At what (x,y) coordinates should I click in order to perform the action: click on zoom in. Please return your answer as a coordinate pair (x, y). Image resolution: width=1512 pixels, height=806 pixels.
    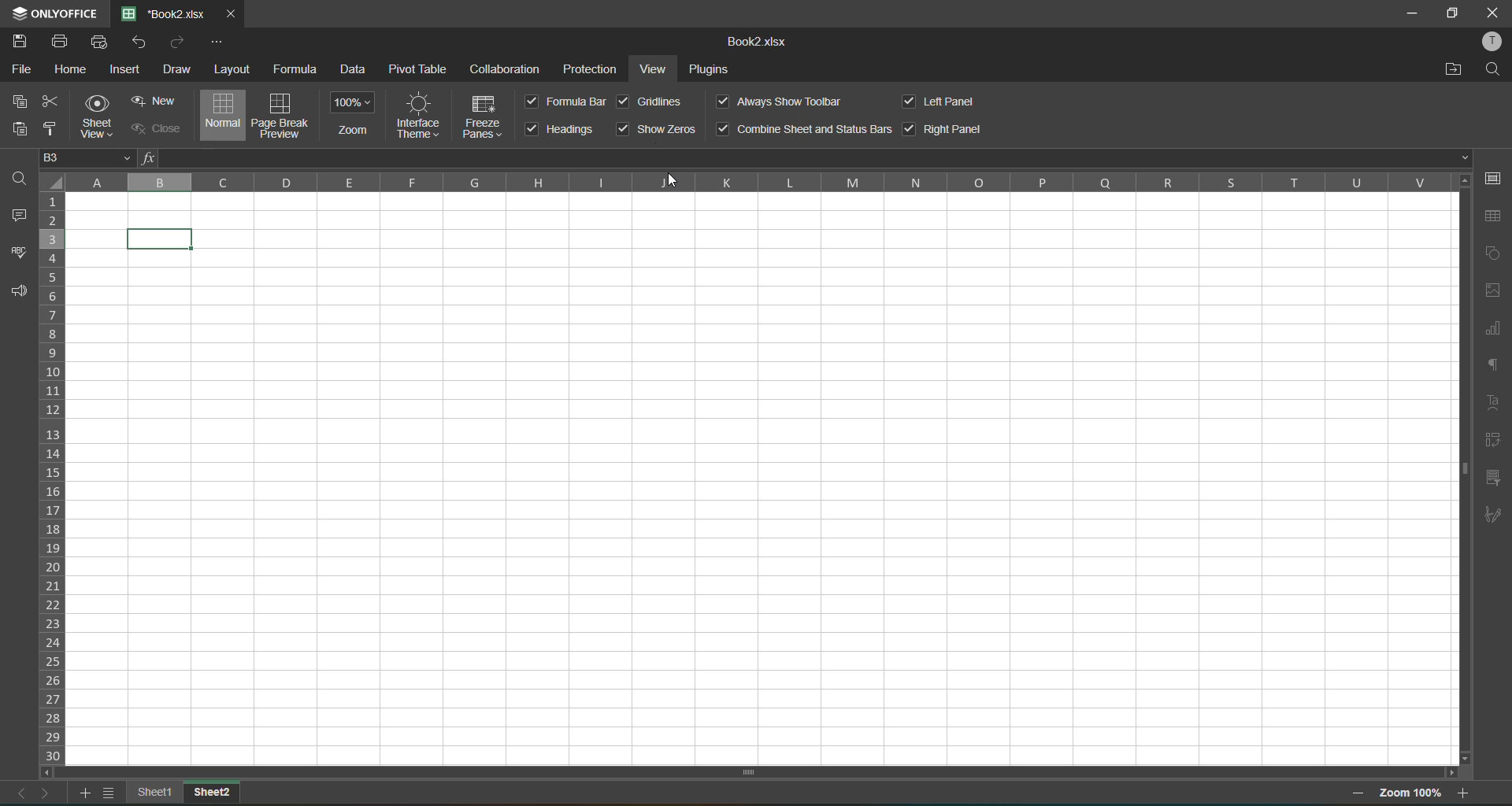
    Looking at the image, I should click on (1464, 793).